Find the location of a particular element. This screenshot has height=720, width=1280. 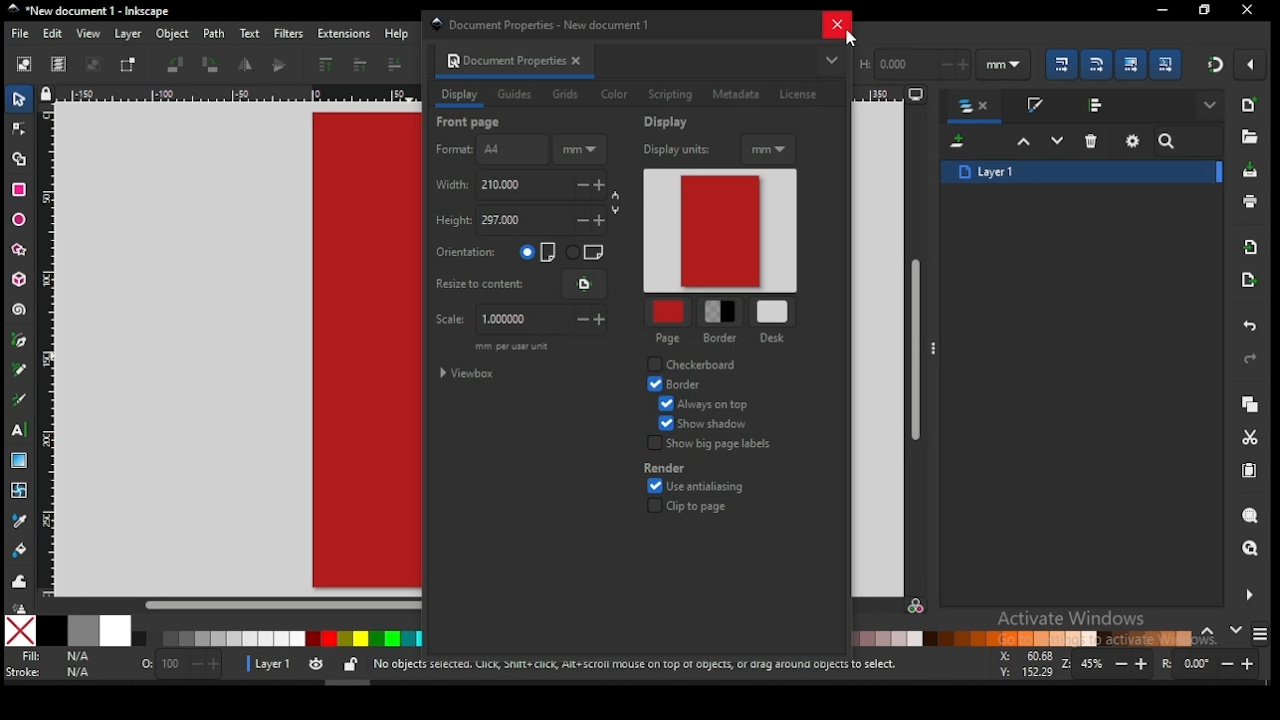

object rotate 90 is located at coordinates (212, 65).